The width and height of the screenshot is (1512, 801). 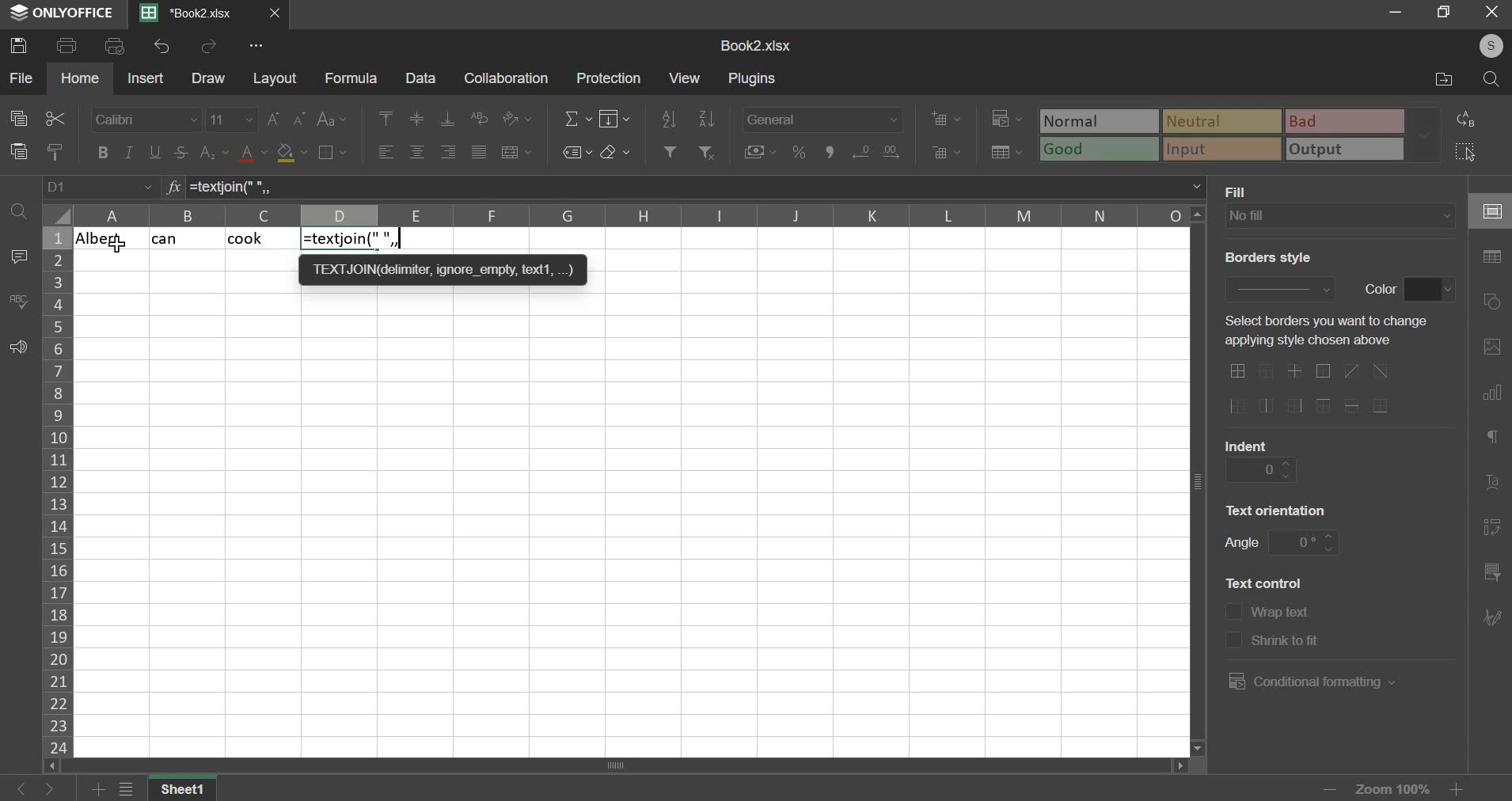 What do you see at coordinates (288, 119) in the screenshot?
I see `font size change` at bounding box center [288, 119].